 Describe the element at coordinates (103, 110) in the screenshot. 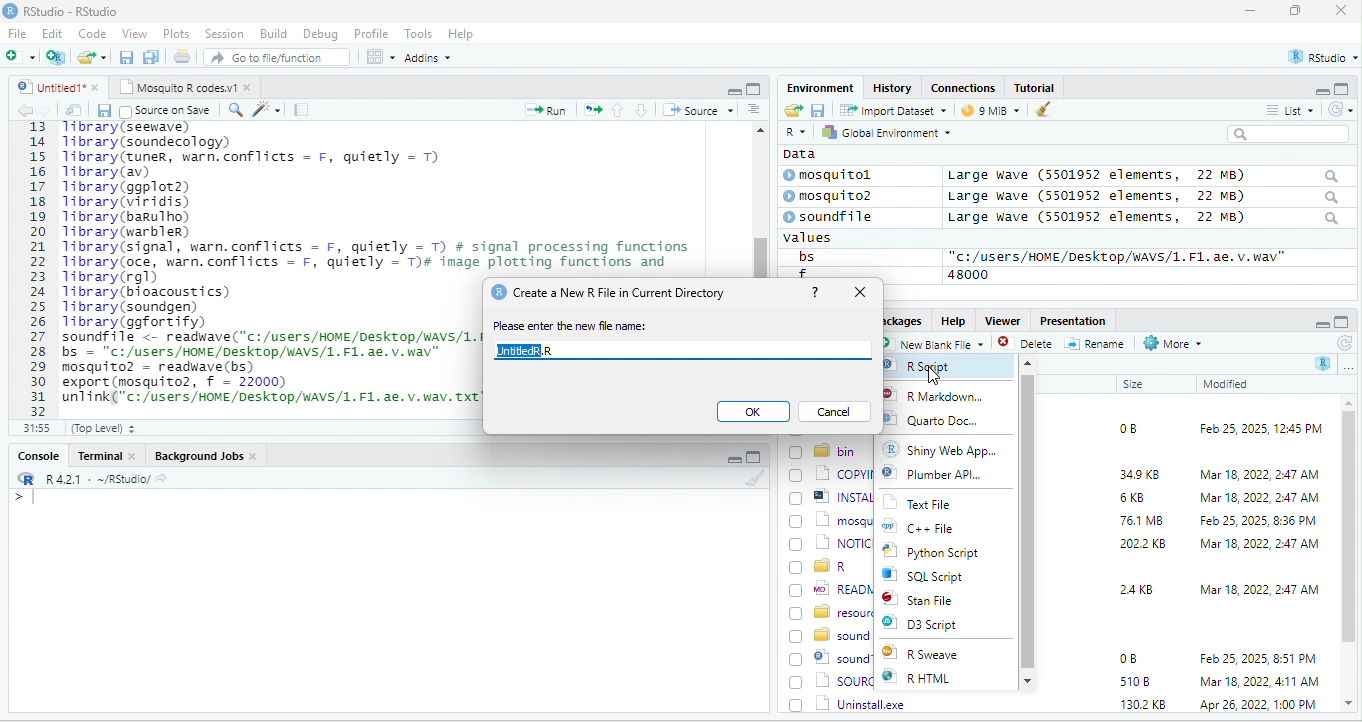

I see `save` at that location.